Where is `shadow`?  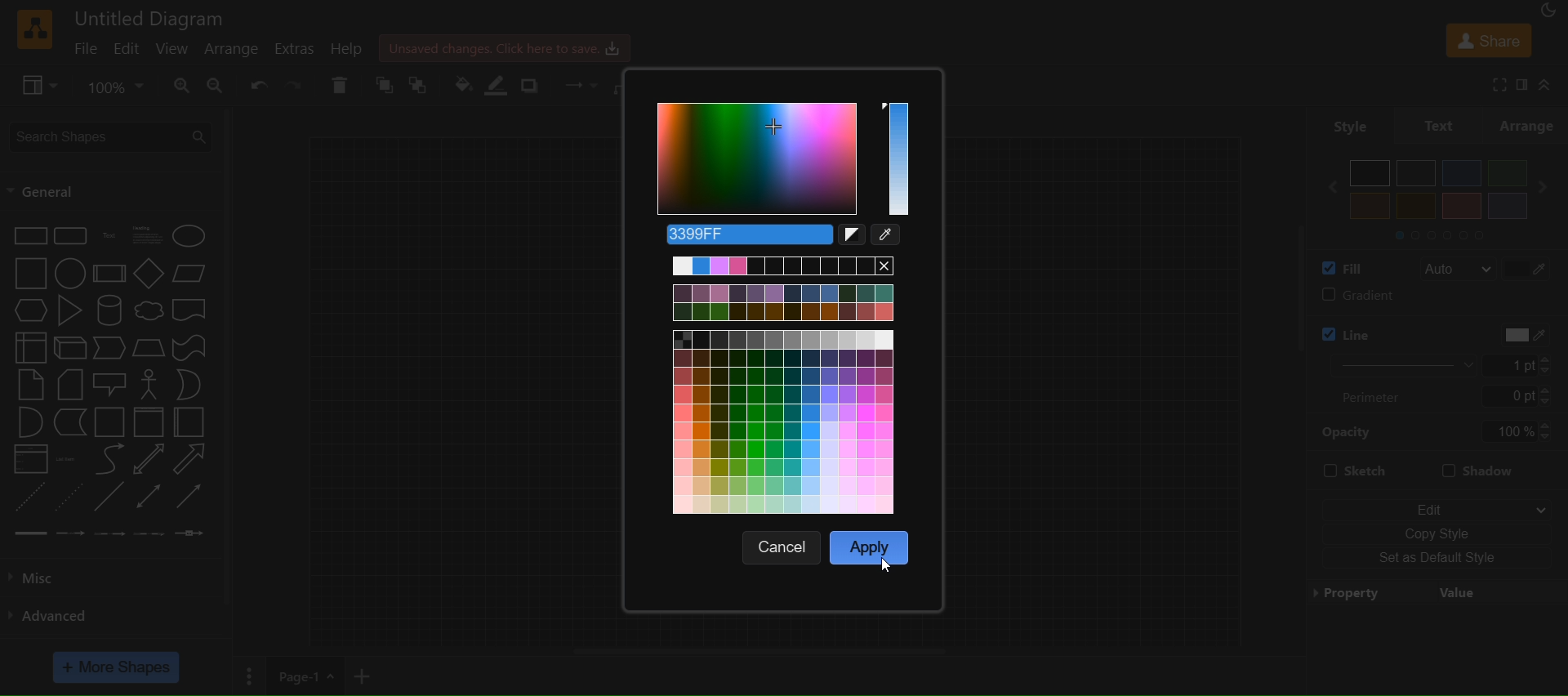 shadow is located at coordinates (534, 84).